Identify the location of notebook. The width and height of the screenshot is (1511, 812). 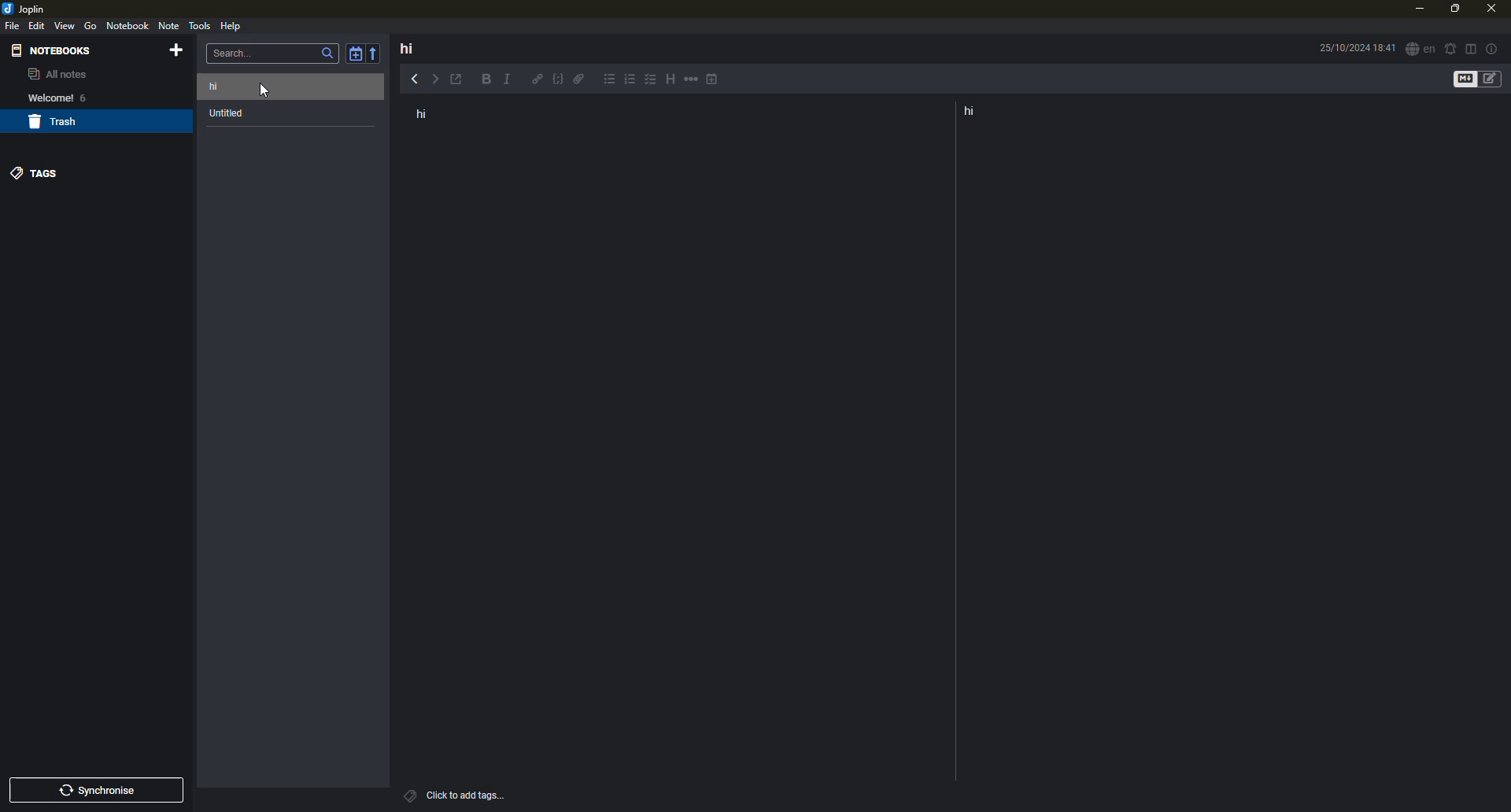
(128, 25).